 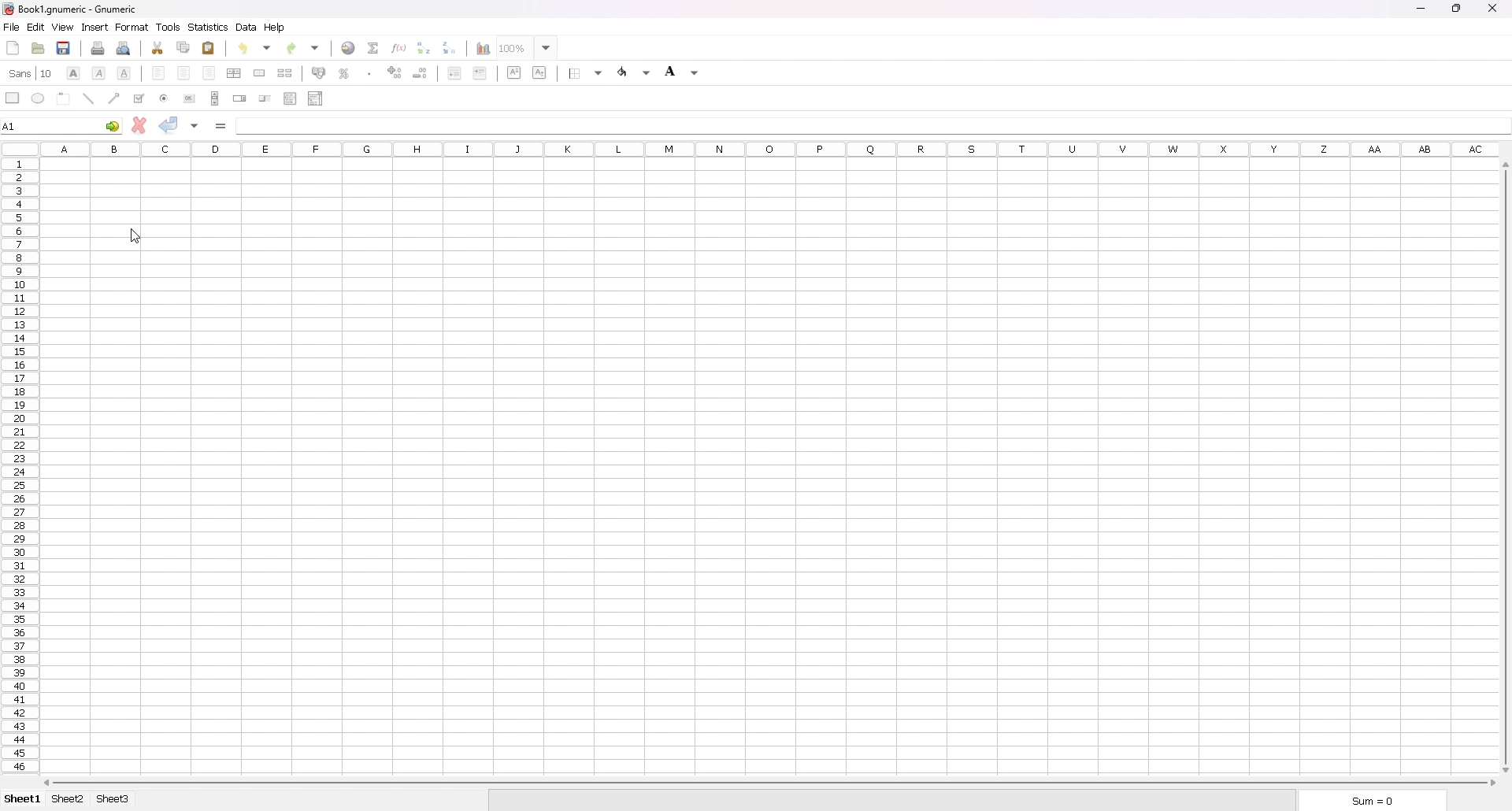 What do you see at coordinates (316, 98) in the screenshot?
I see `combo box` at bounding box center [316, 98].